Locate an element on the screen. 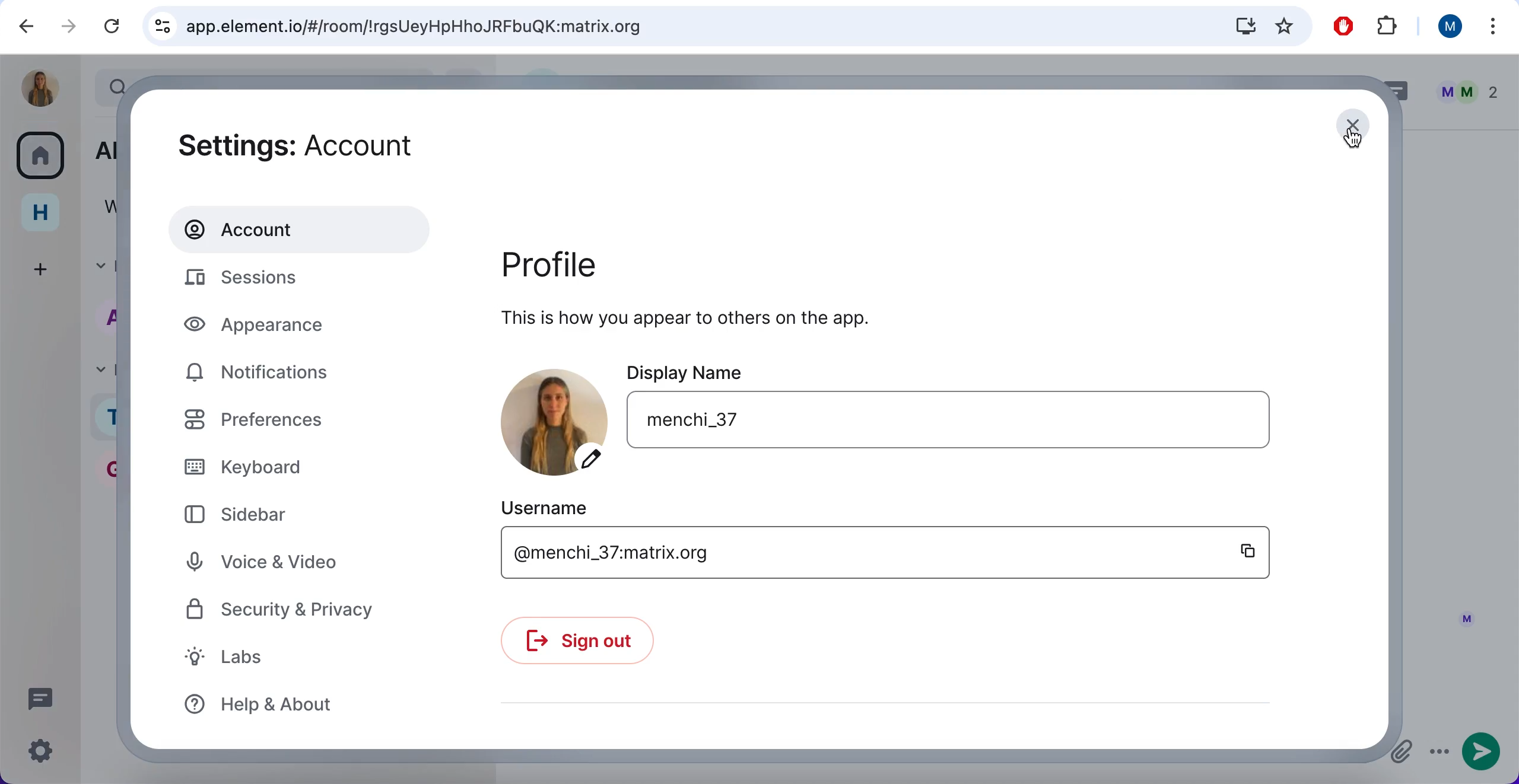 The image size is (1519, 784). profile is located at coordinates (593, 266).